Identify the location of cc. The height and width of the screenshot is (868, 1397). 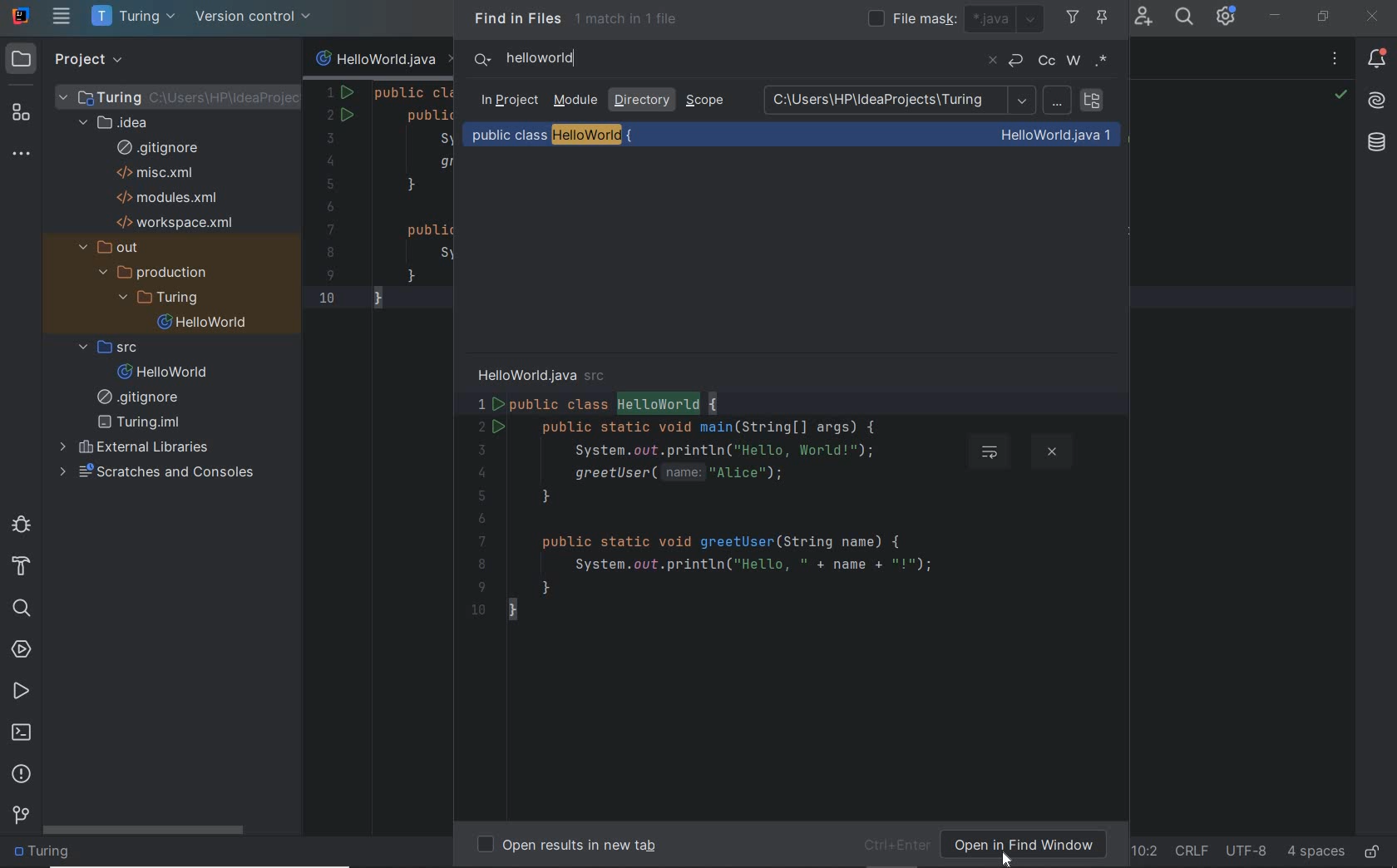
(1051, 62).